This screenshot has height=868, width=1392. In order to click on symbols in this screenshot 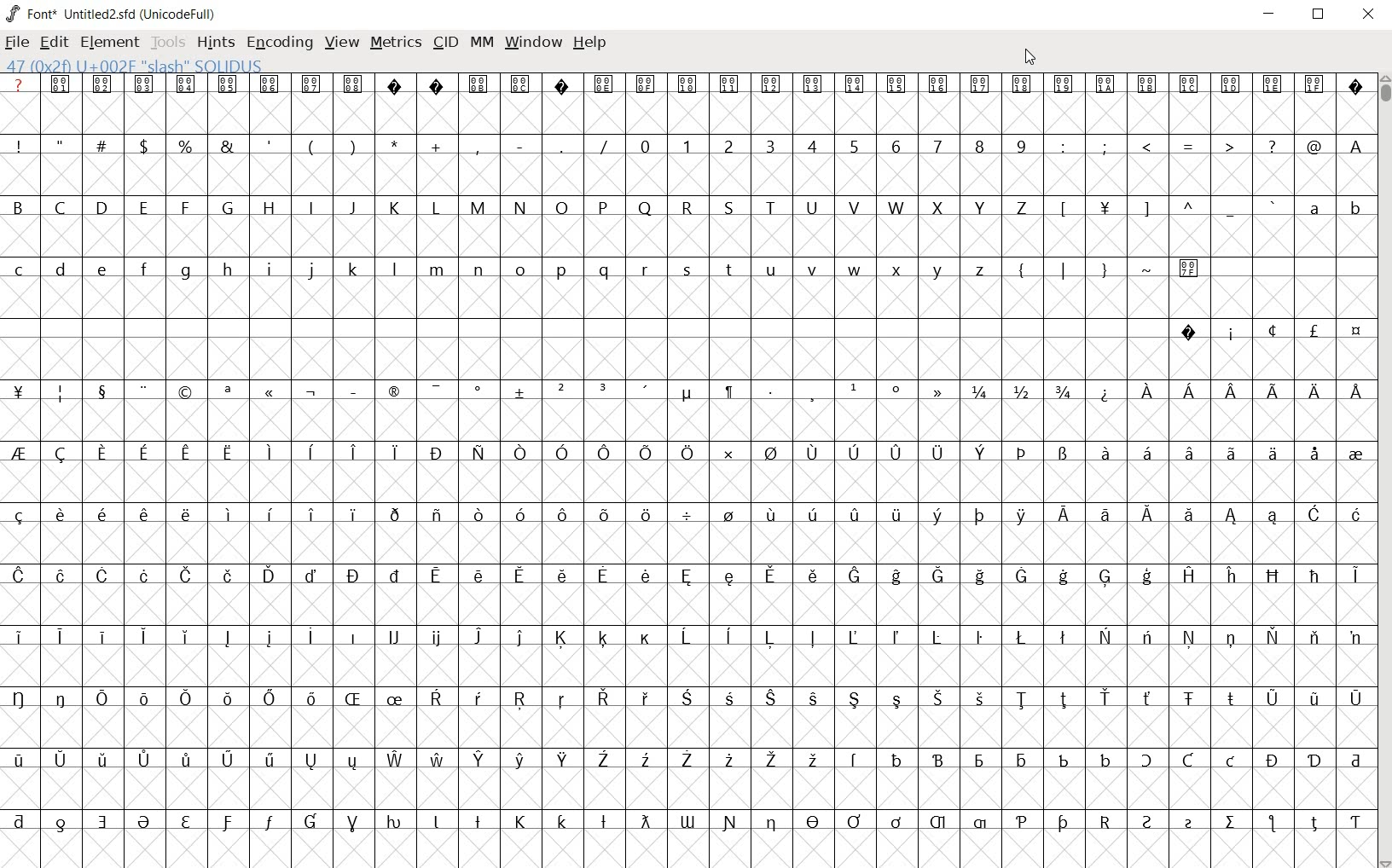, I will do `click(691, 390)`.